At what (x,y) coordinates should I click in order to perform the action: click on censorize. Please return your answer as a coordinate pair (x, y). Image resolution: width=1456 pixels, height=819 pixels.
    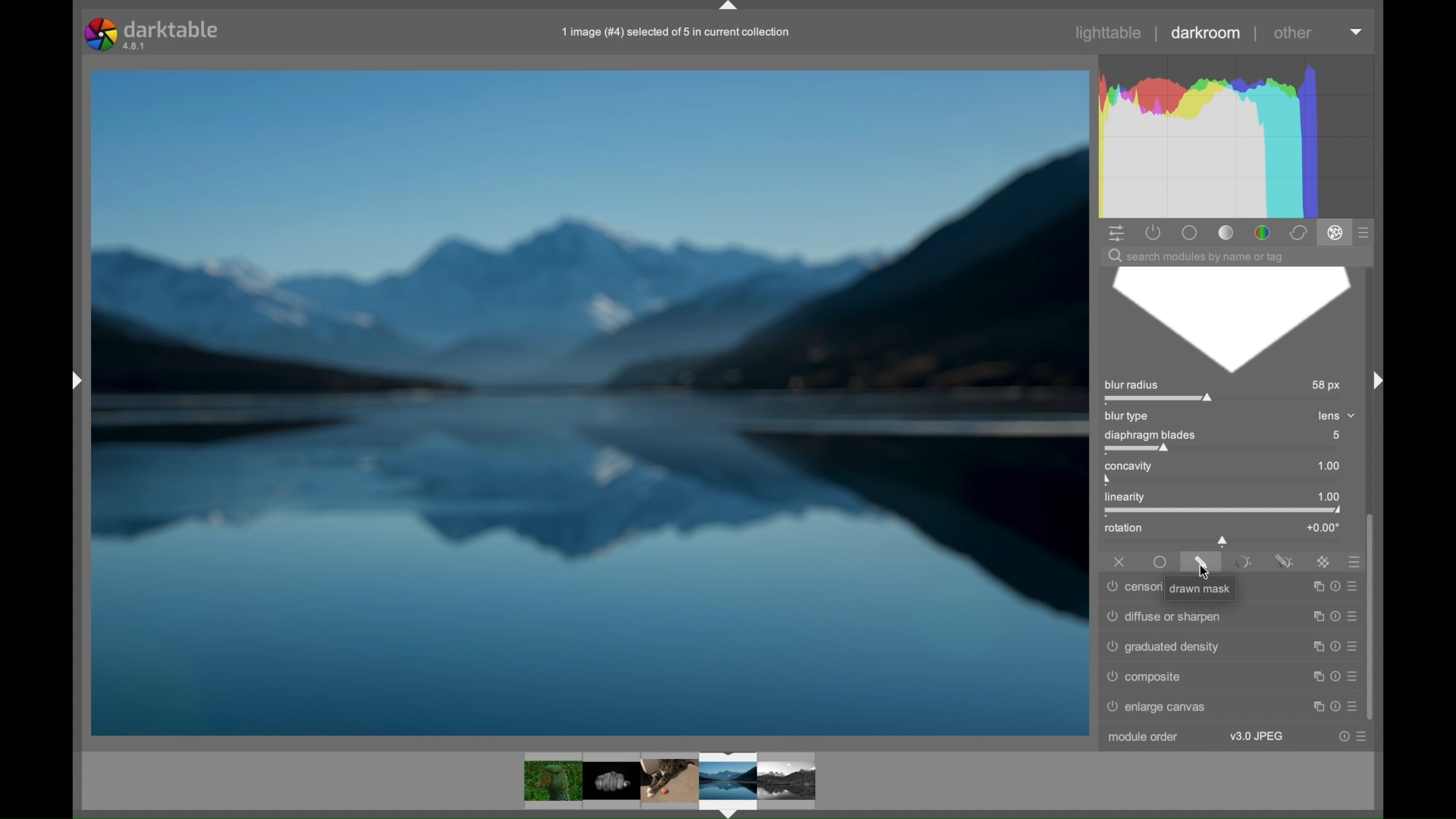
    Looking at the image, I should click on (1134, 588).